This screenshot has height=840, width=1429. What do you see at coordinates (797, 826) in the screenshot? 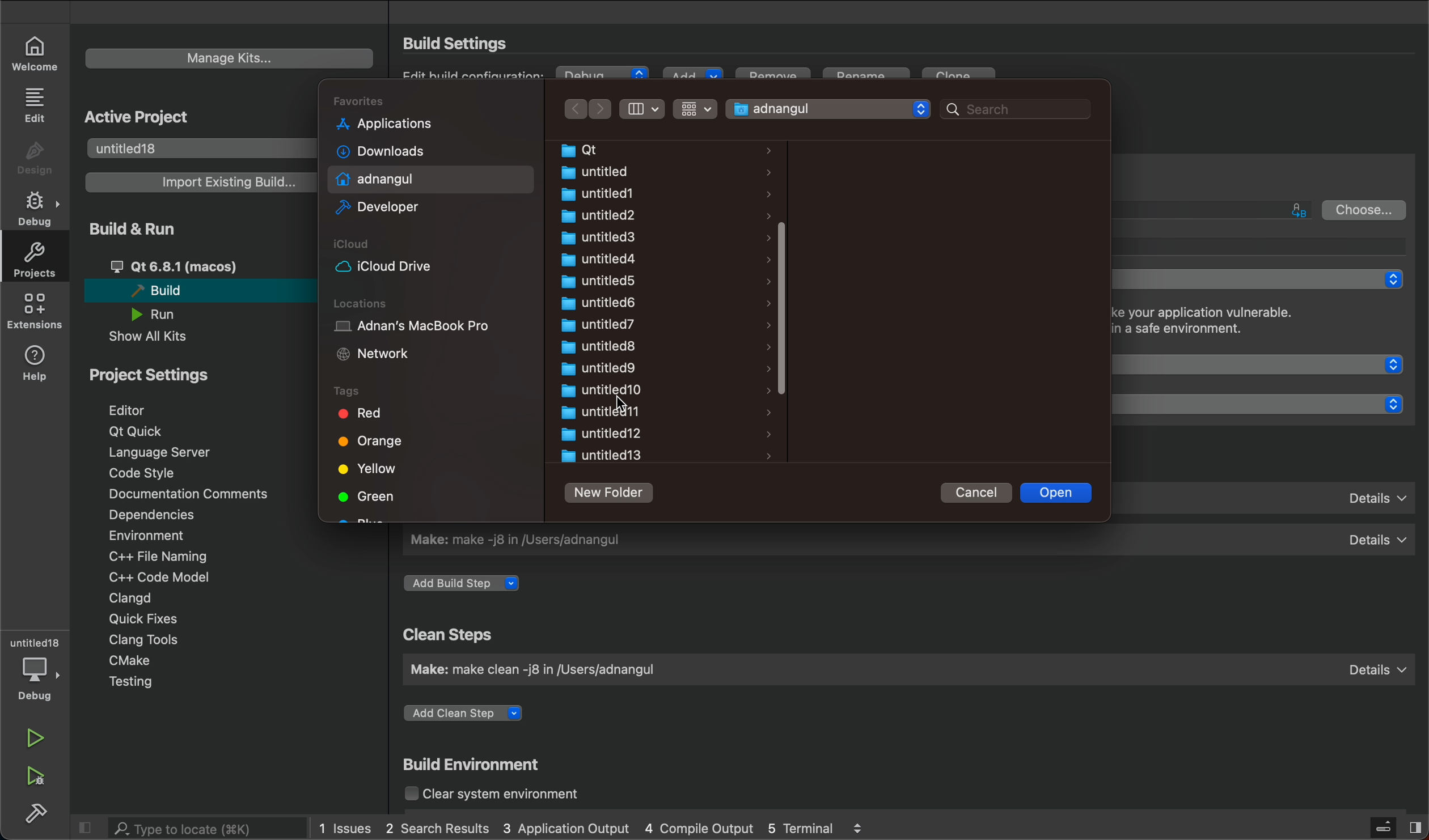
I see `5 Terminal` at bounding box center [797, 826].